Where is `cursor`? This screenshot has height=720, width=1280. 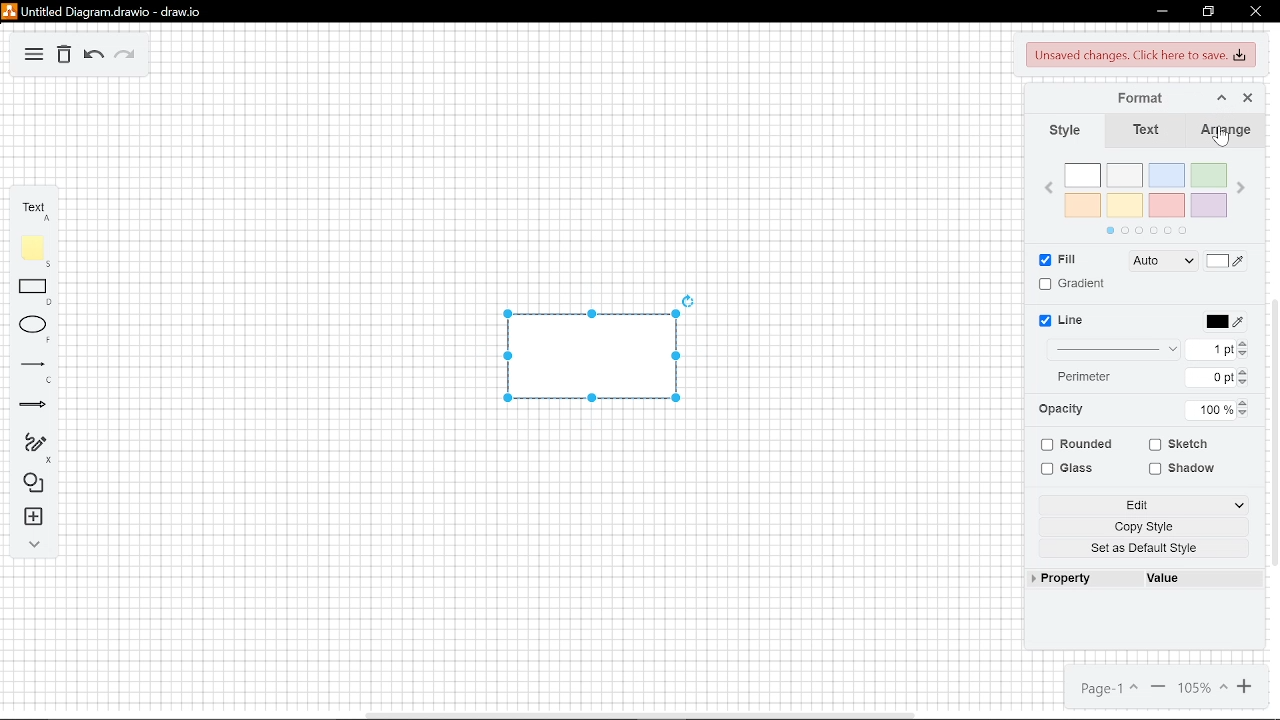 cursor is located at coordinates (1220, 142).